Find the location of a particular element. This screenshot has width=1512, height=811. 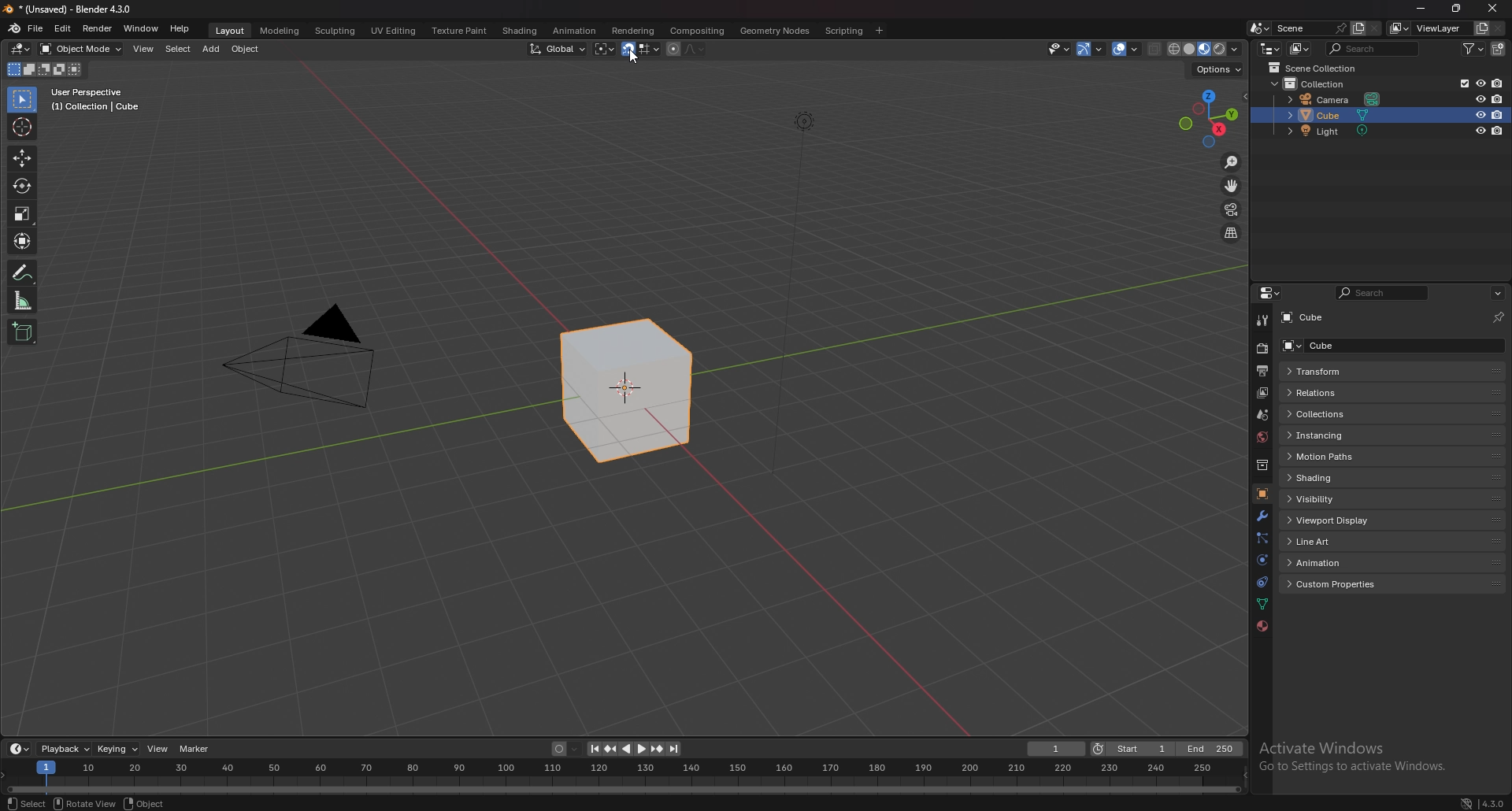

remove view layer is located at coordinates (1499, 28).